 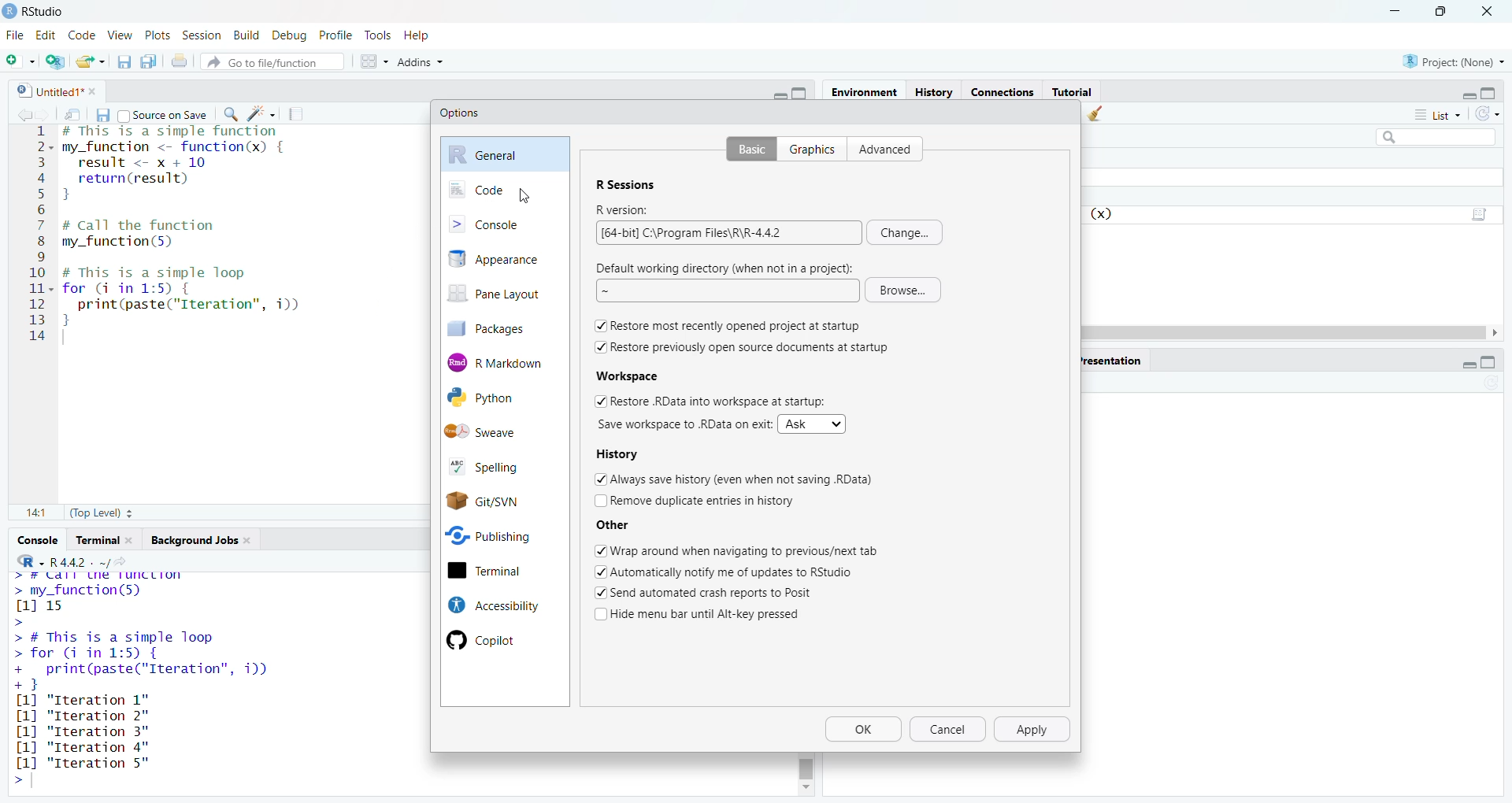 I want to click on Ok, so click(x=864, y=731).